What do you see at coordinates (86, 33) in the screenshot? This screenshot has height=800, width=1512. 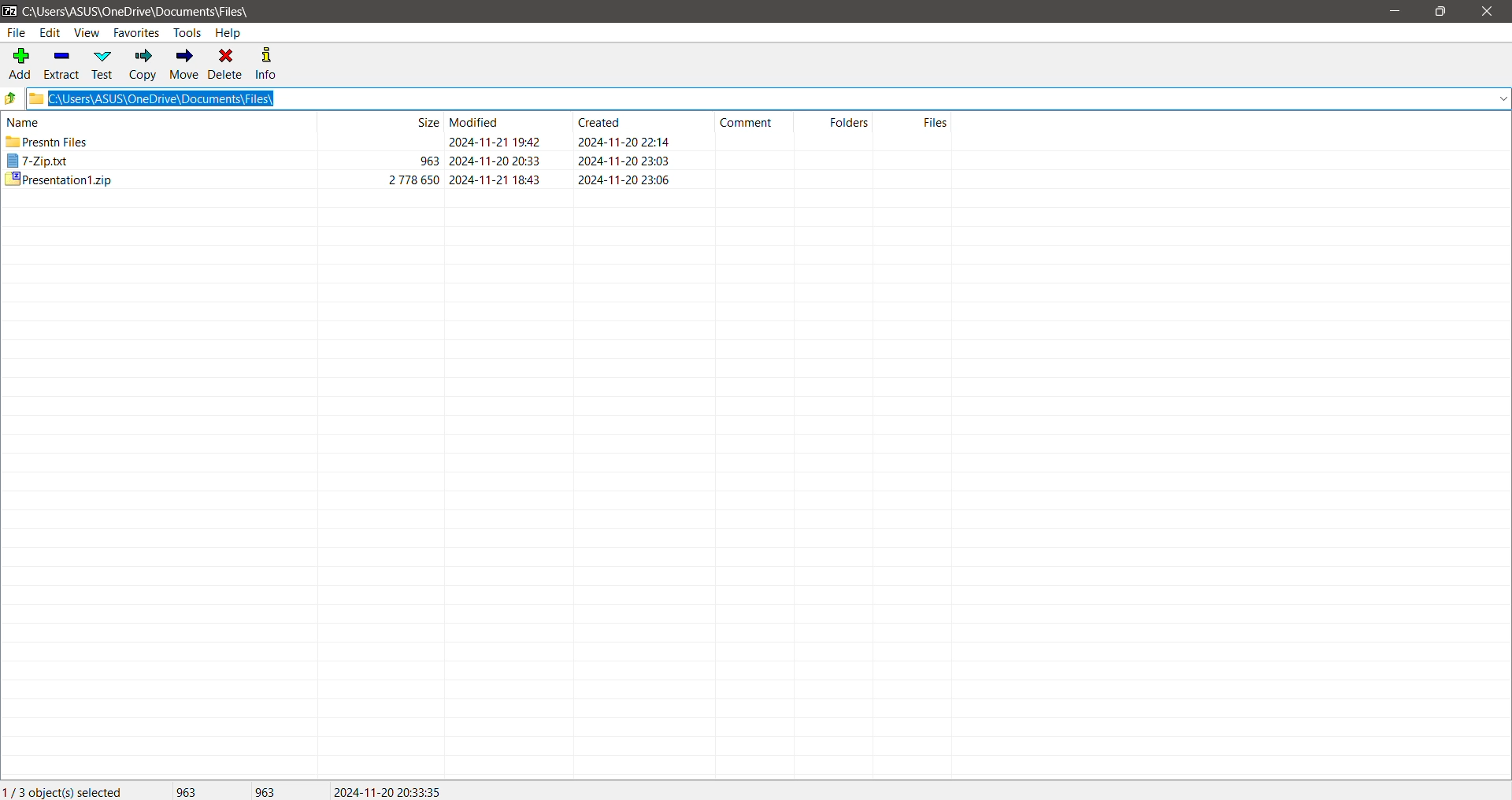 I see `View` at bounding box center [86, 33].